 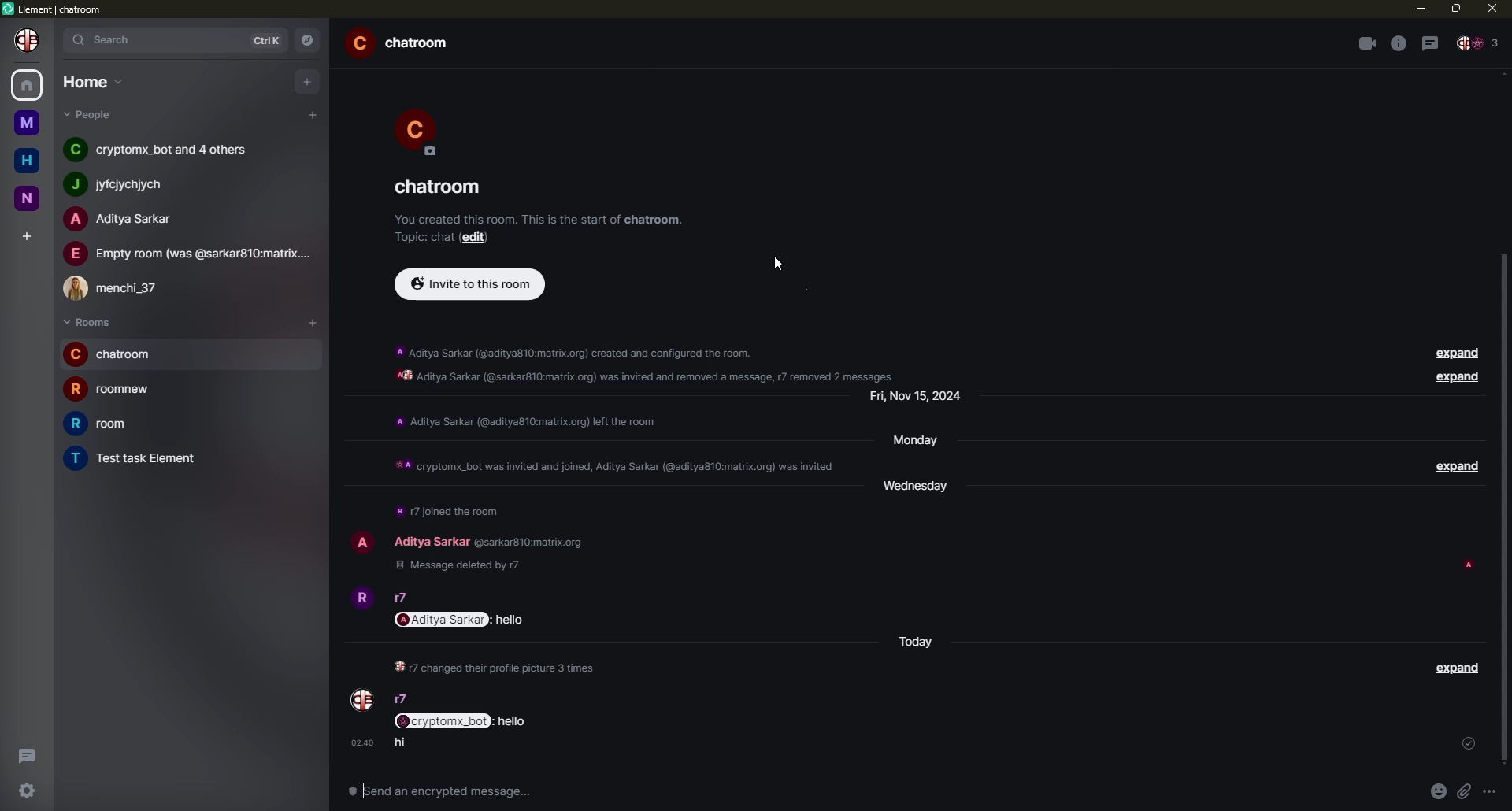 What do you see at coordinates (88, 322) in the screenshot?
I see `rooms` at bounding box center [88, 322].